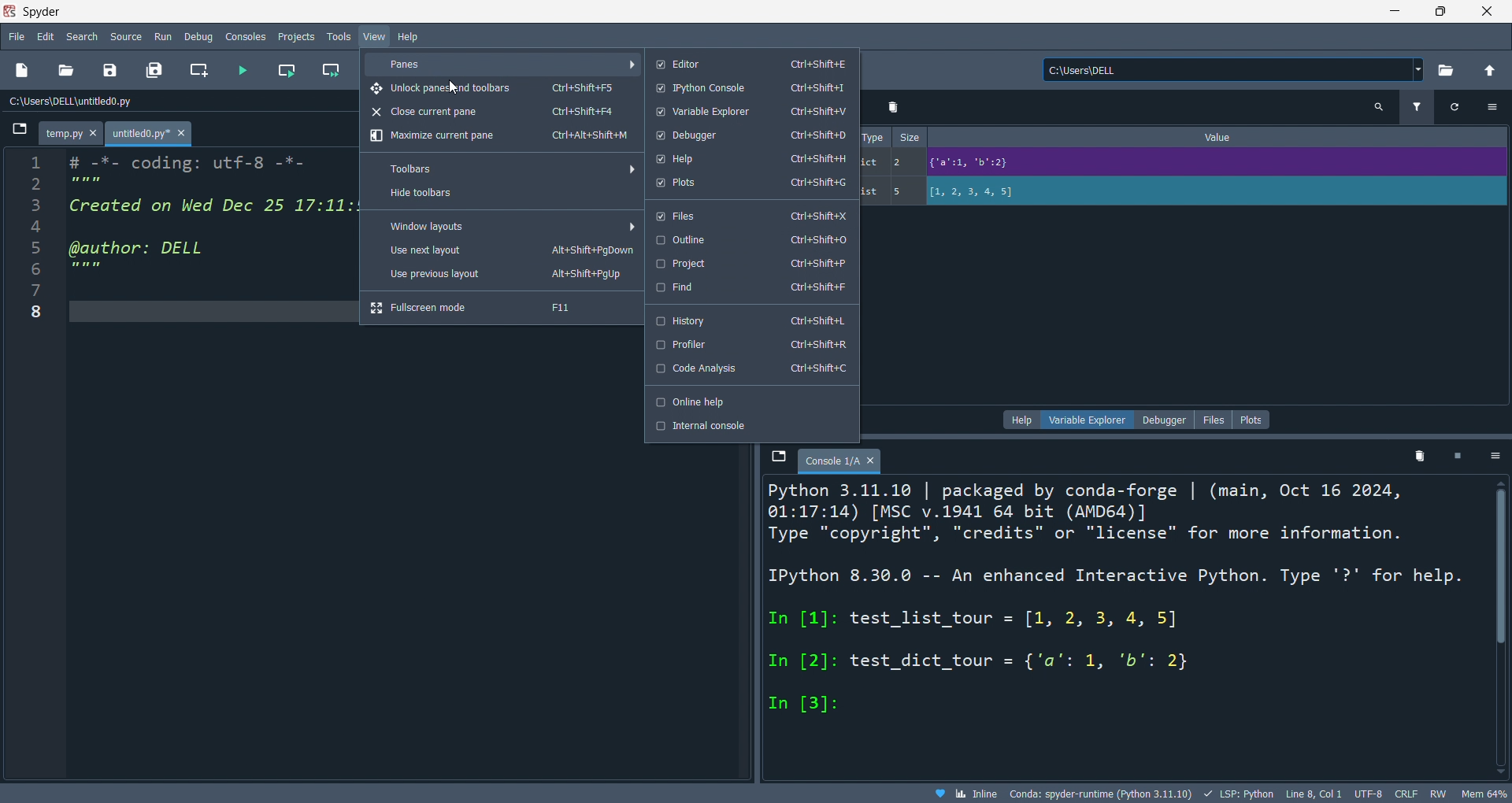  Describe the element at coordinates (295, 35) in the screenshot. I see `projects` at that location.